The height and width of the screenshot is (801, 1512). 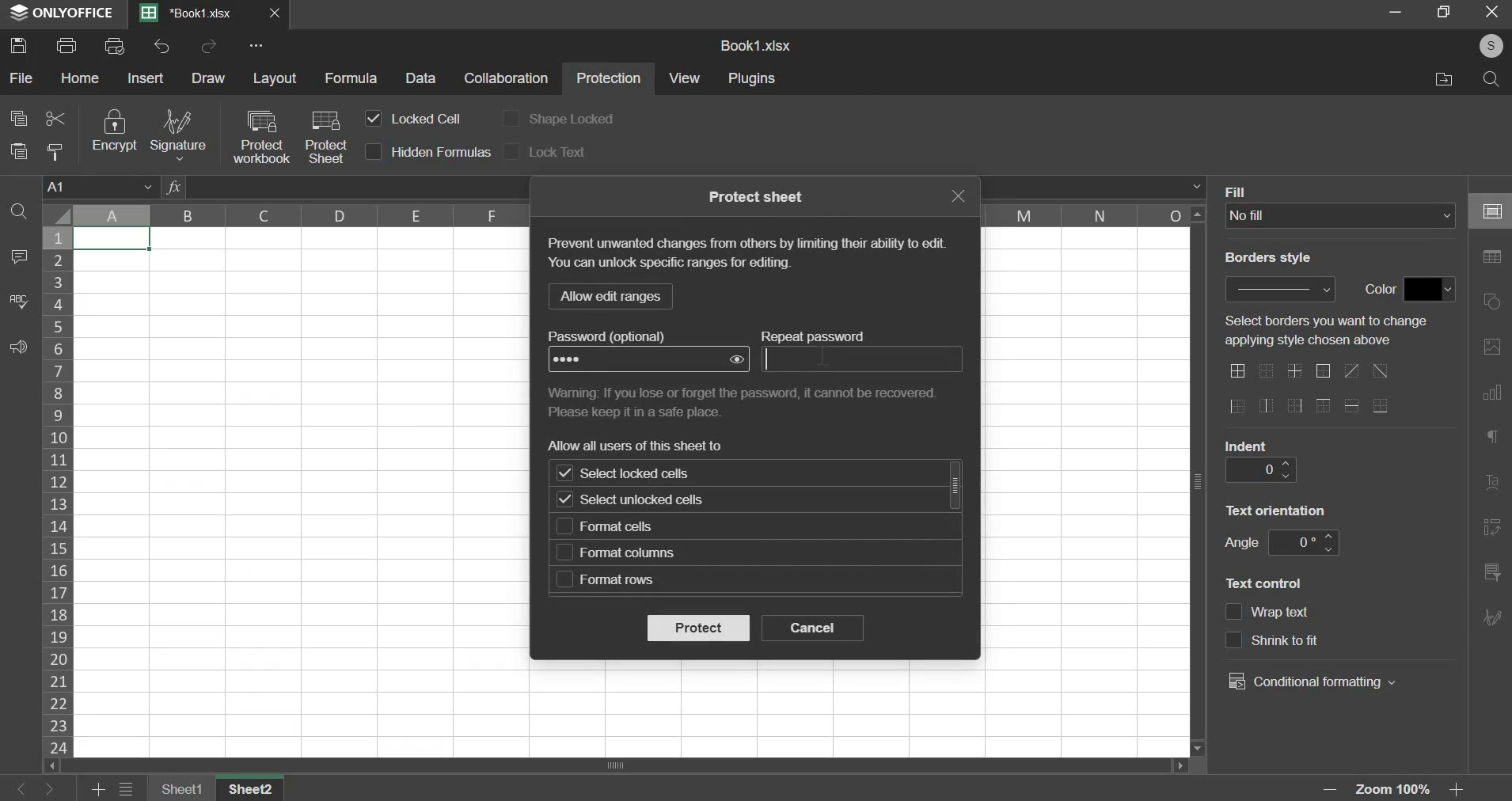 I want to click on checkbox, so click(x=511, y=117).